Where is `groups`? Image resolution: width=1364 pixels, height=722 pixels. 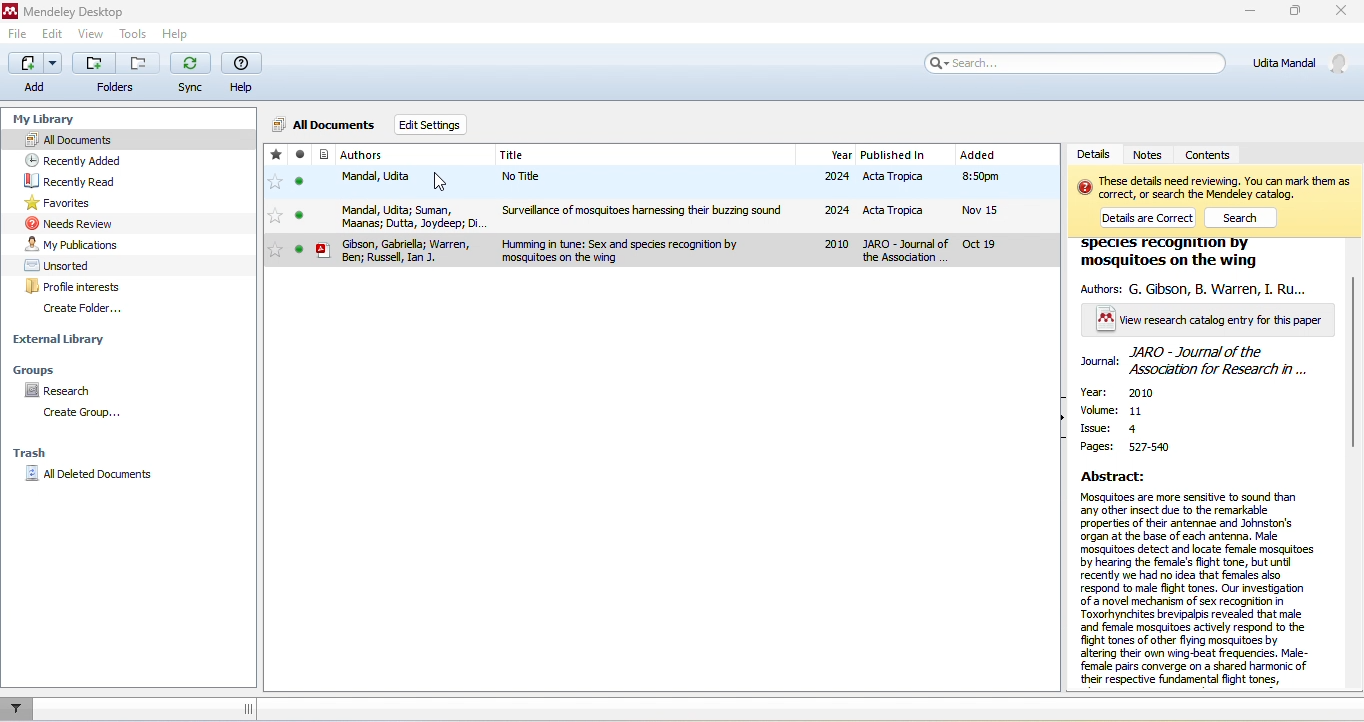
groups is located at coordinates (54, 369).